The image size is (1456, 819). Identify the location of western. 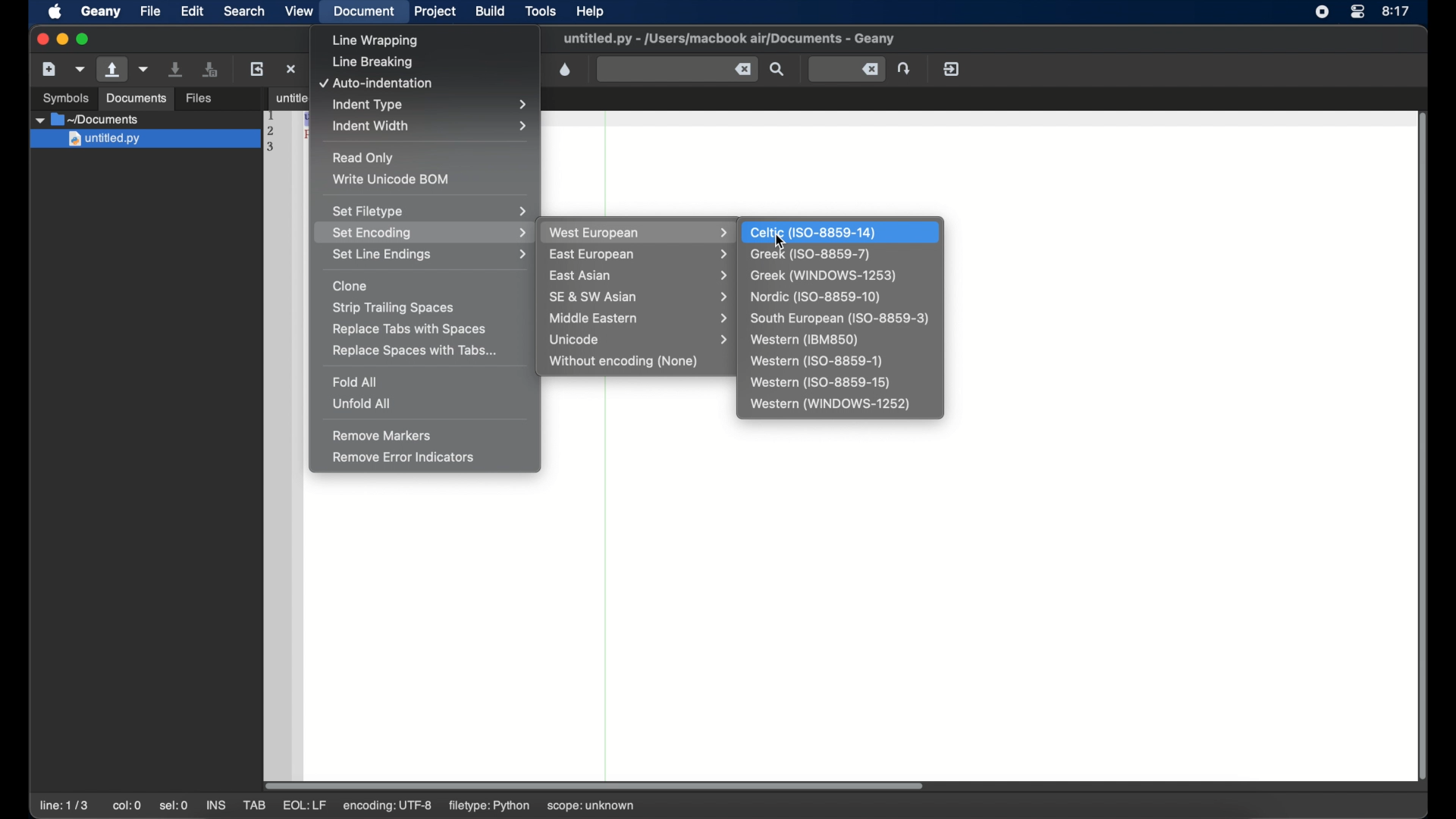
(831, 405).